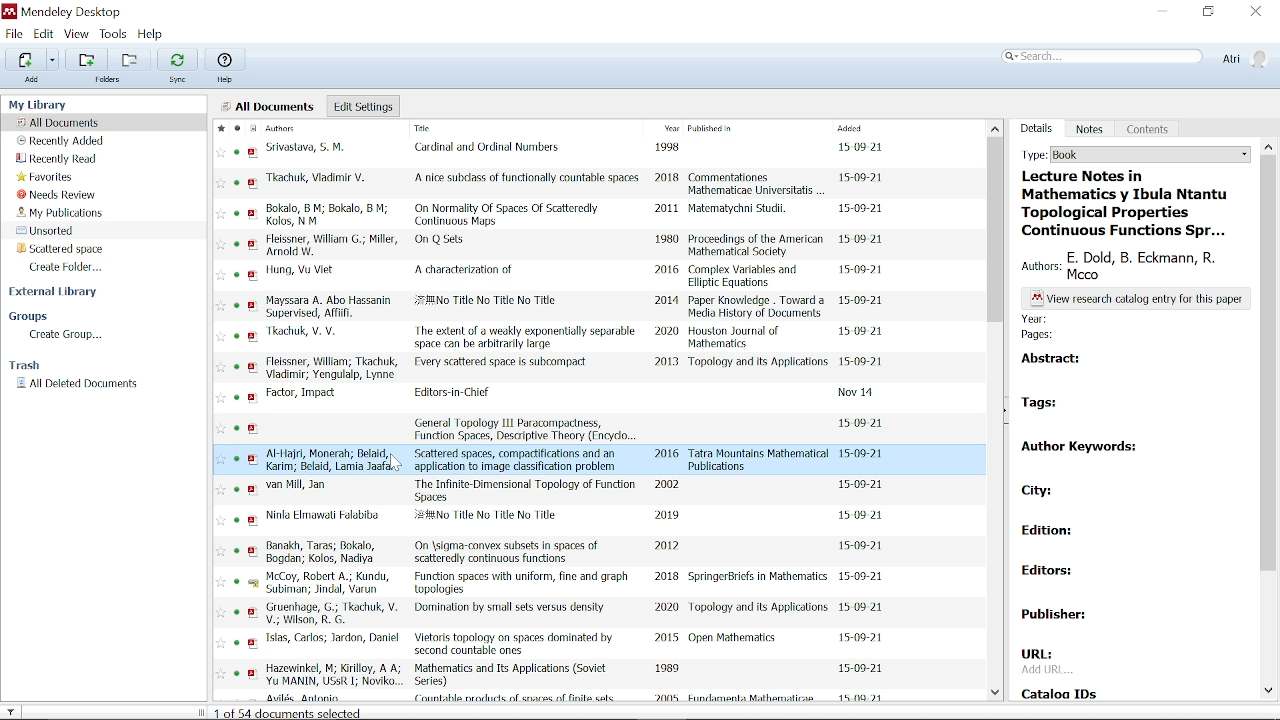 The image size is (1280, 720). I want to click on Add files options, so click(53, 60).